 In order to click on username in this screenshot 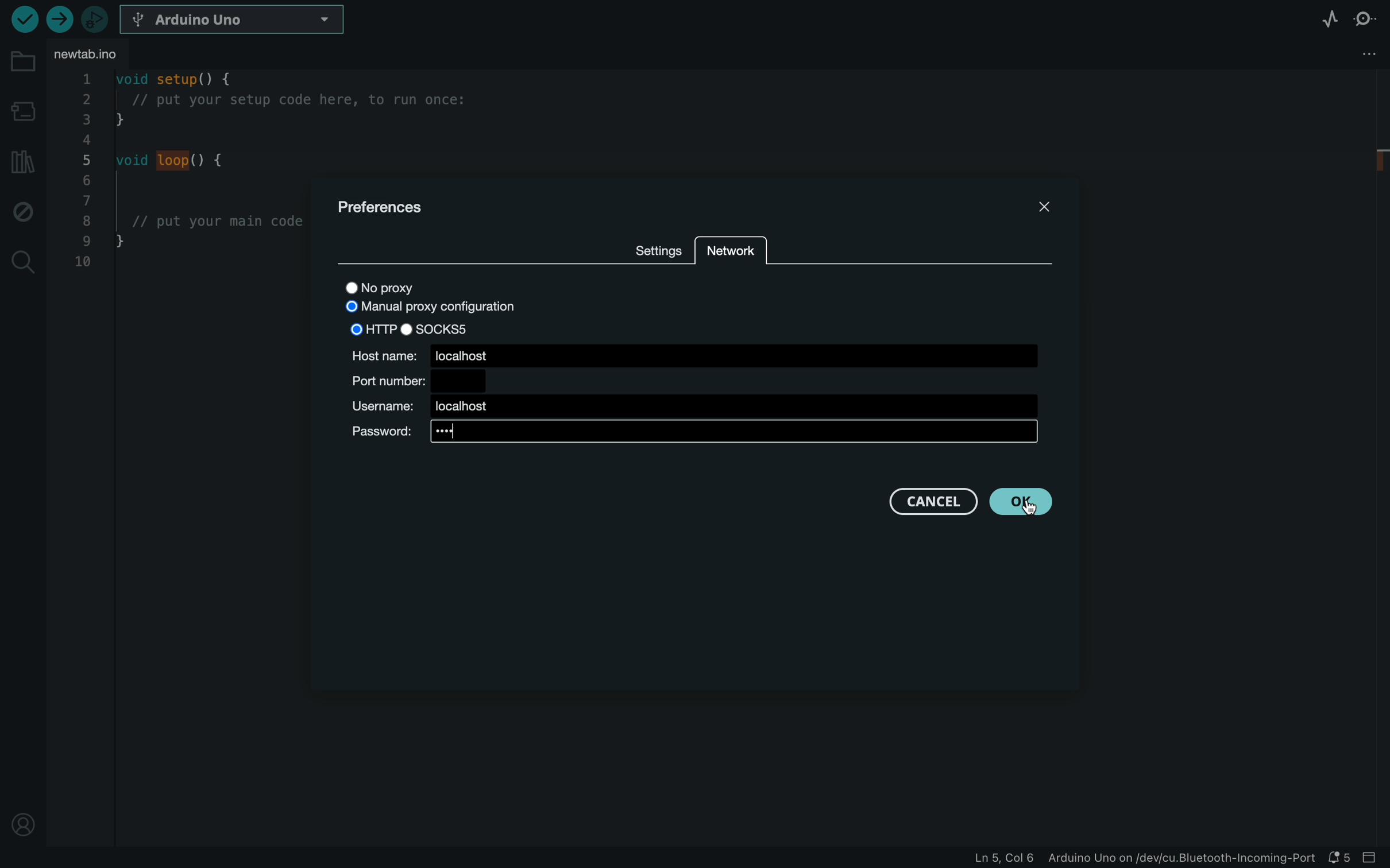, I will do `click(689, 406)`.